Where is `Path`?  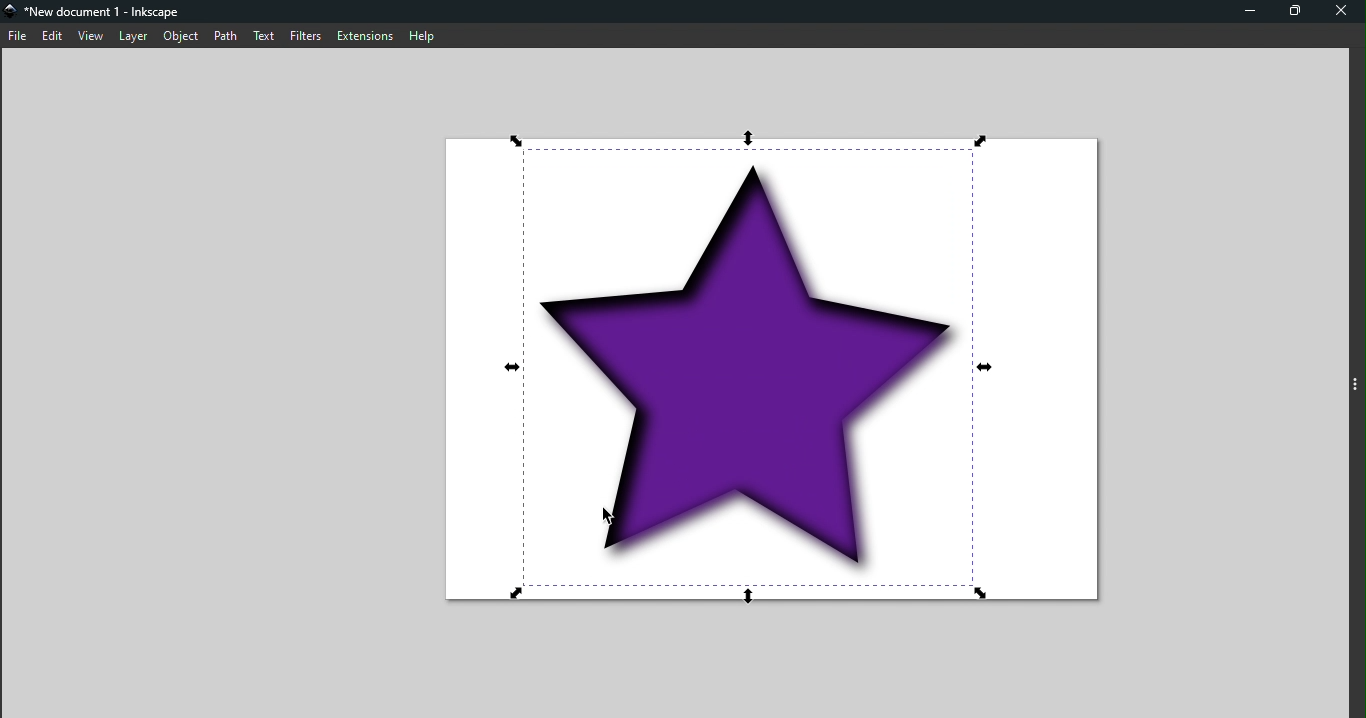
Path is located at coordinates (227, 34).